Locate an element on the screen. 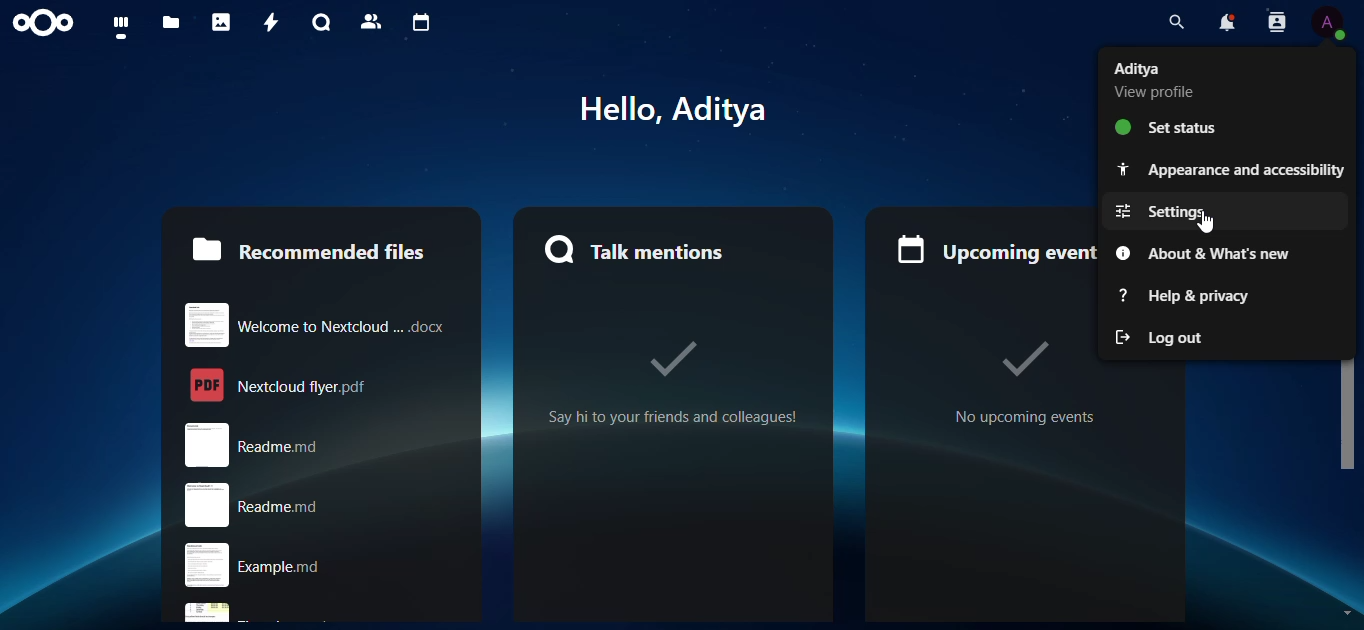 This screenshot has height=630, width=1364. upcoming events is located at coordinates (987, 242).